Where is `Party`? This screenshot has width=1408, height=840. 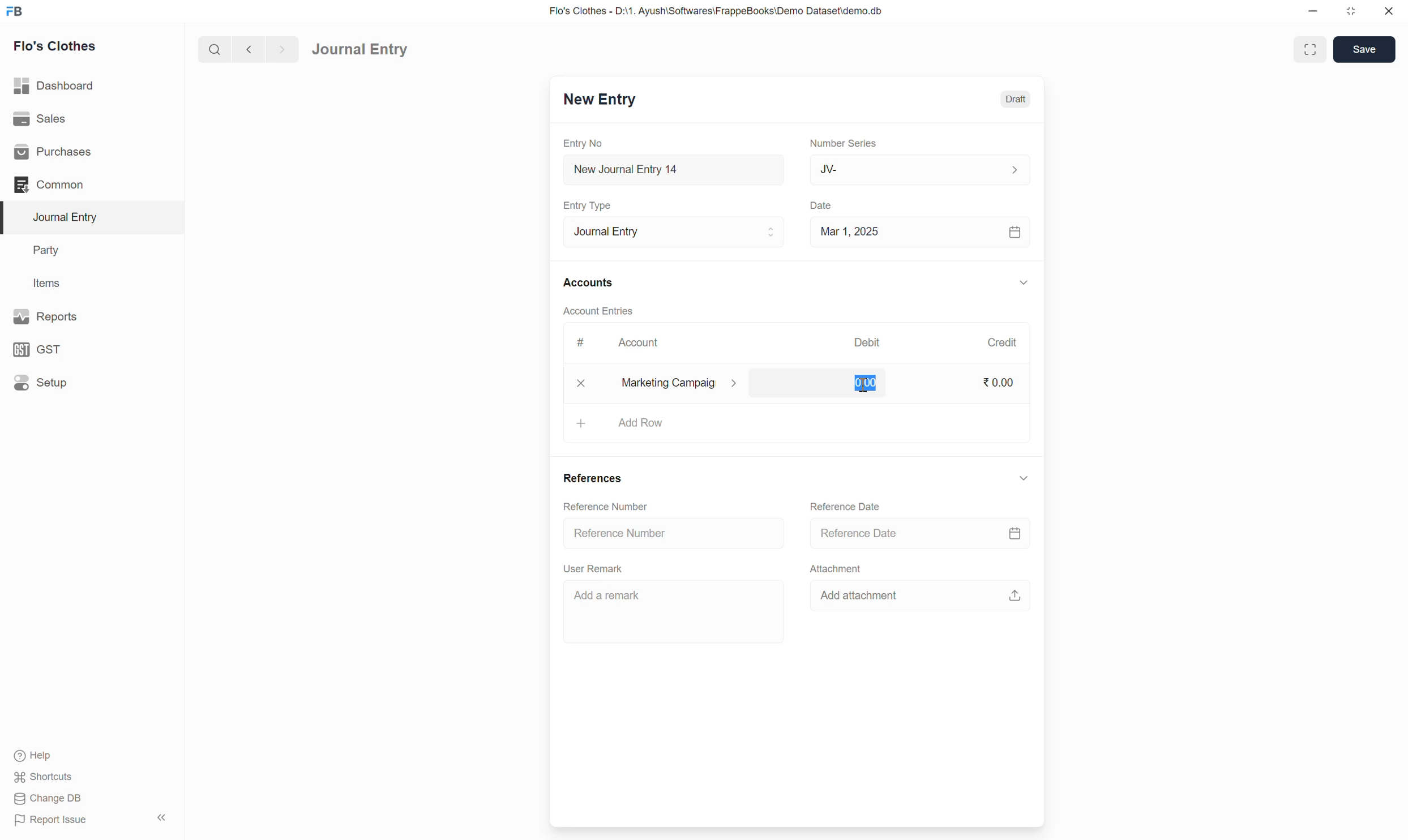
Party is located at coordinates (49, 251).